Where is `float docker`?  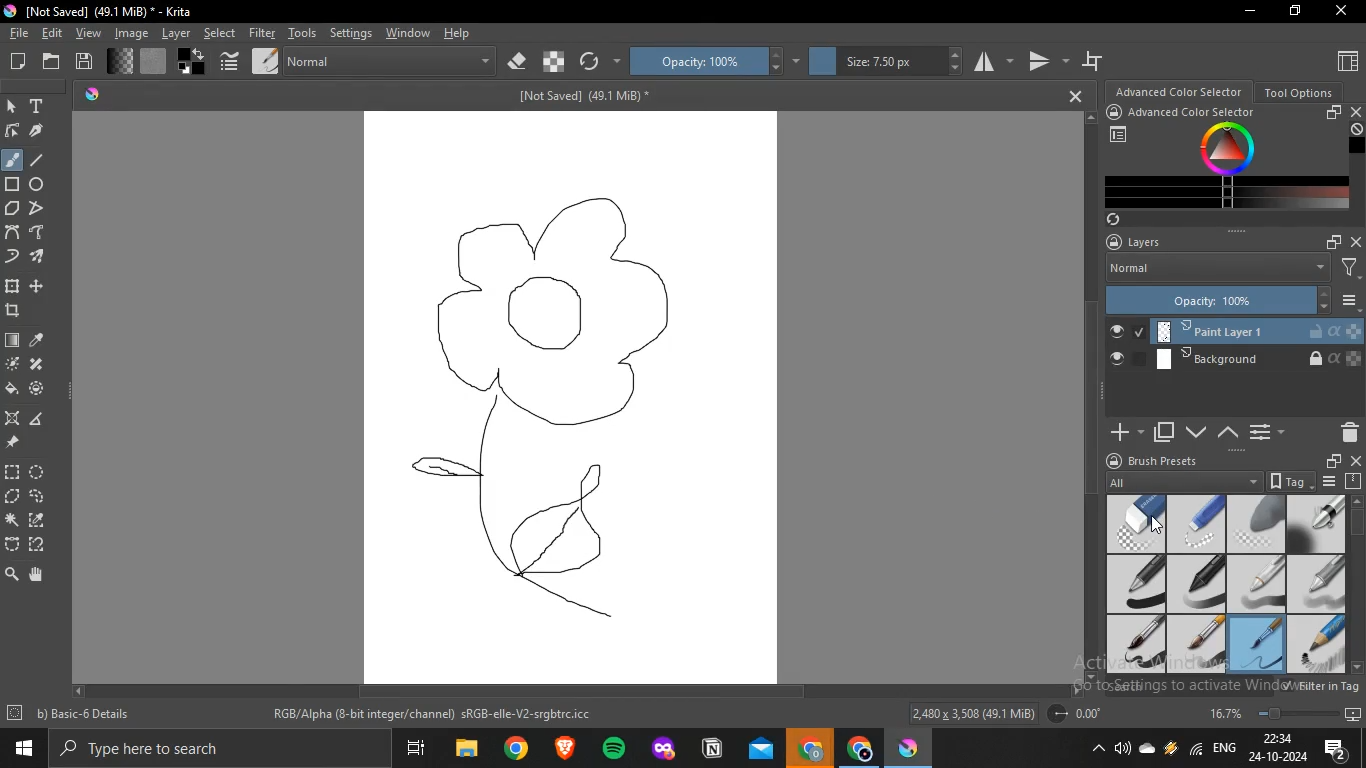
float docker is located at coordinates (1334, 113).